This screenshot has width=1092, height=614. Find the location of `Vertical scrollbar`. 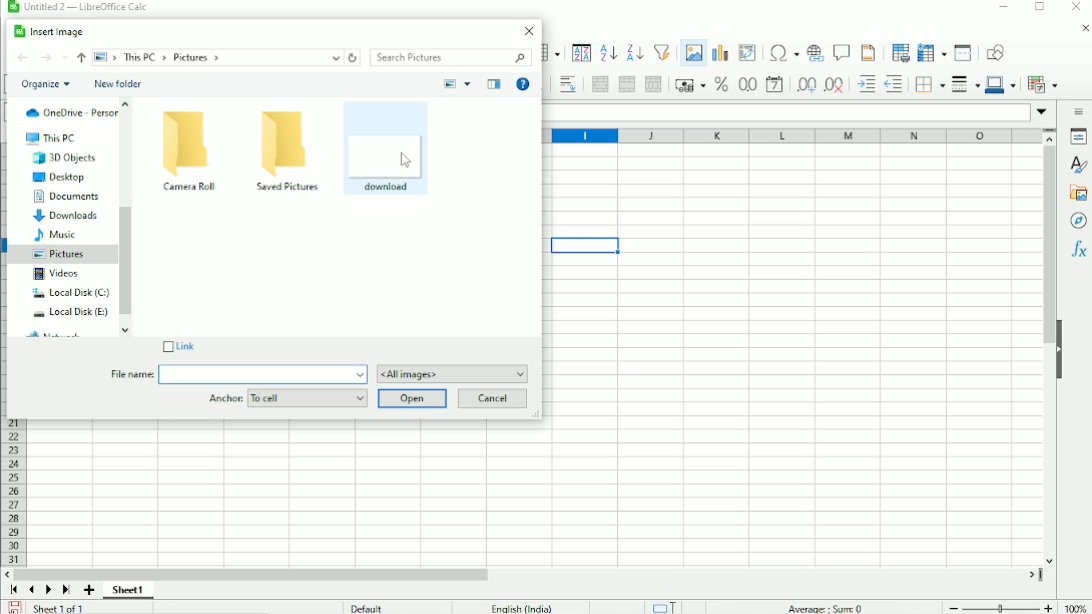

Vertical scrollbar is located at coordinates (1046, 356).